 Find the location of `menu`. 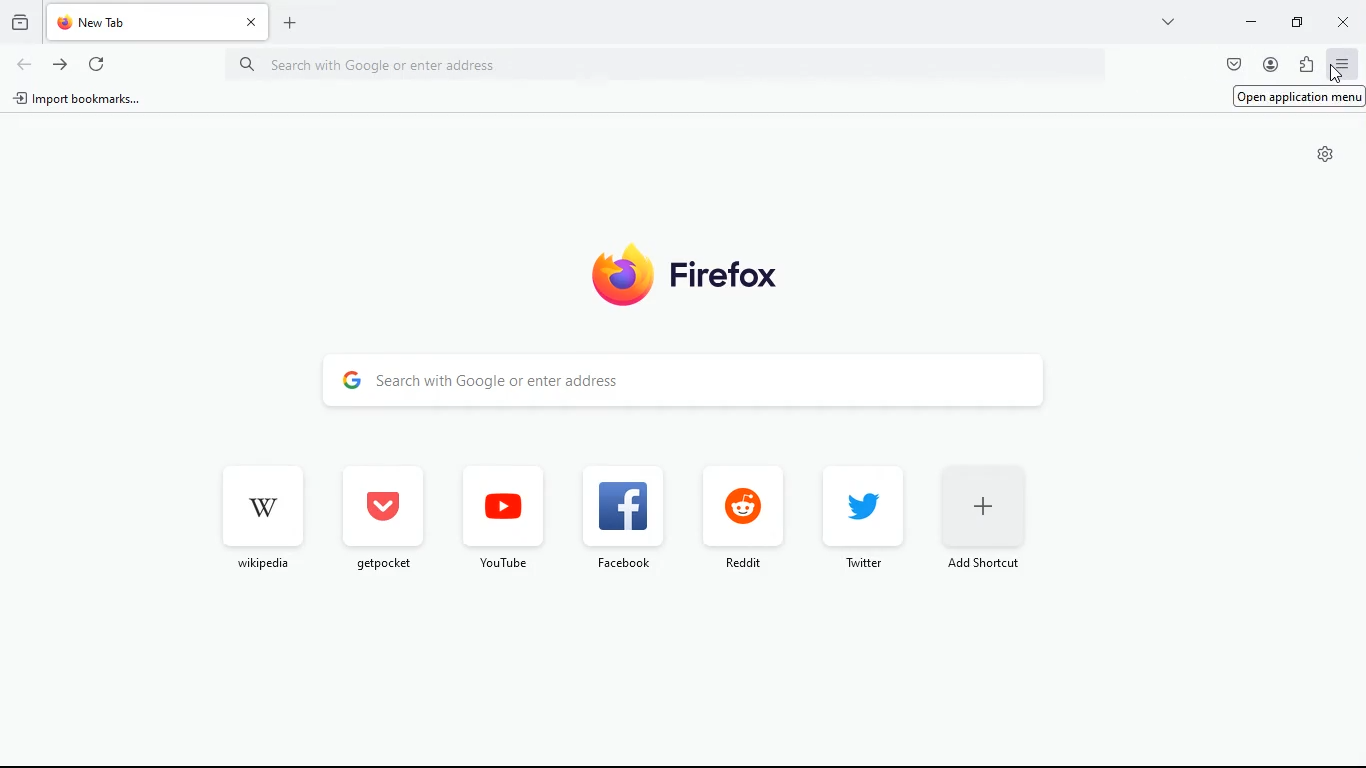

menu is located at coordinates (1342, 65).